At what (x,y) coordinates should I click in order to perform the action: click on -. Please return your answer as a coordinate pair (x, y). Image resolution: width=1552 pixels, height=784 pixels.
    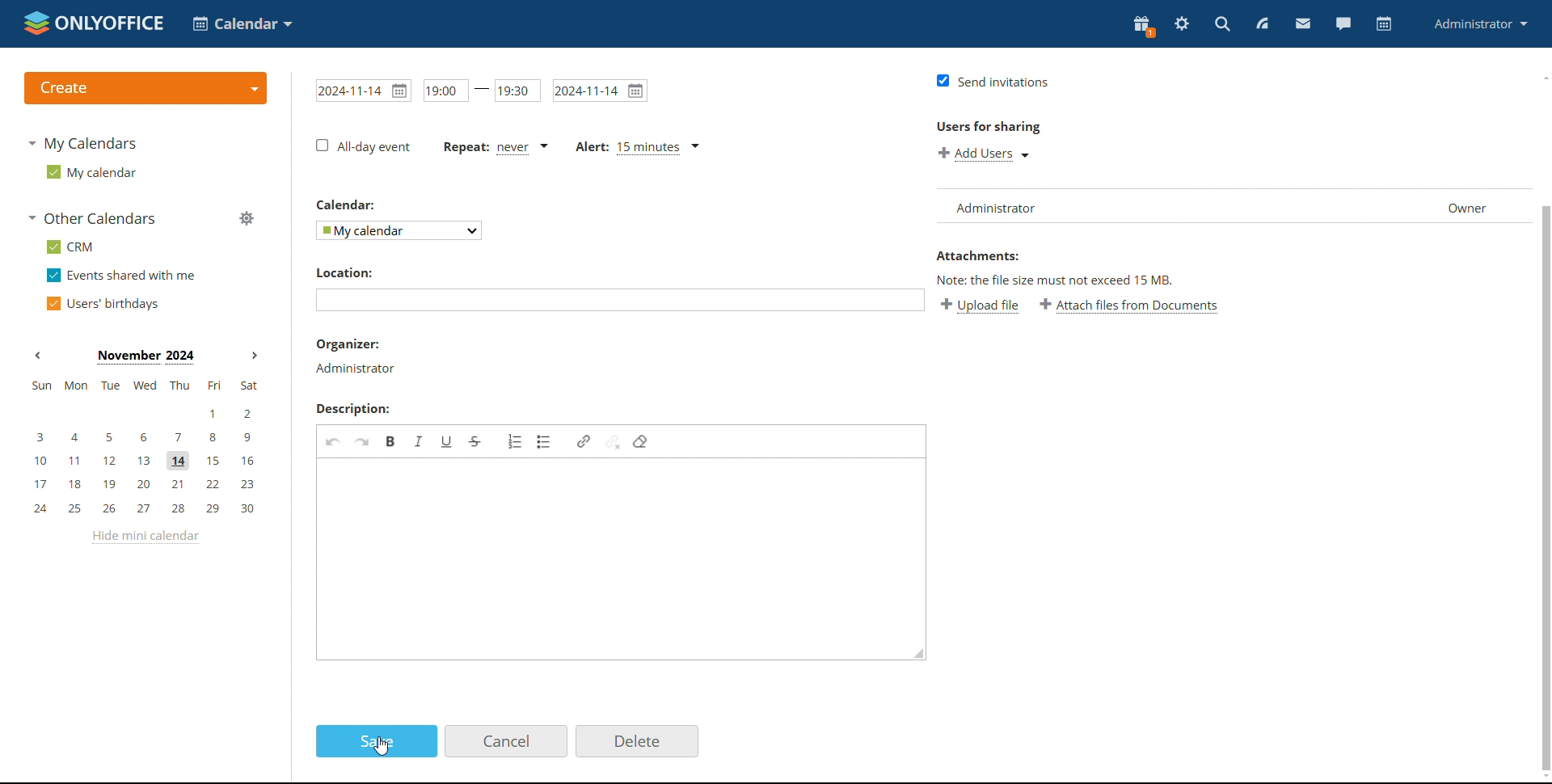
    Looking at the image, I should click on (485, 88).